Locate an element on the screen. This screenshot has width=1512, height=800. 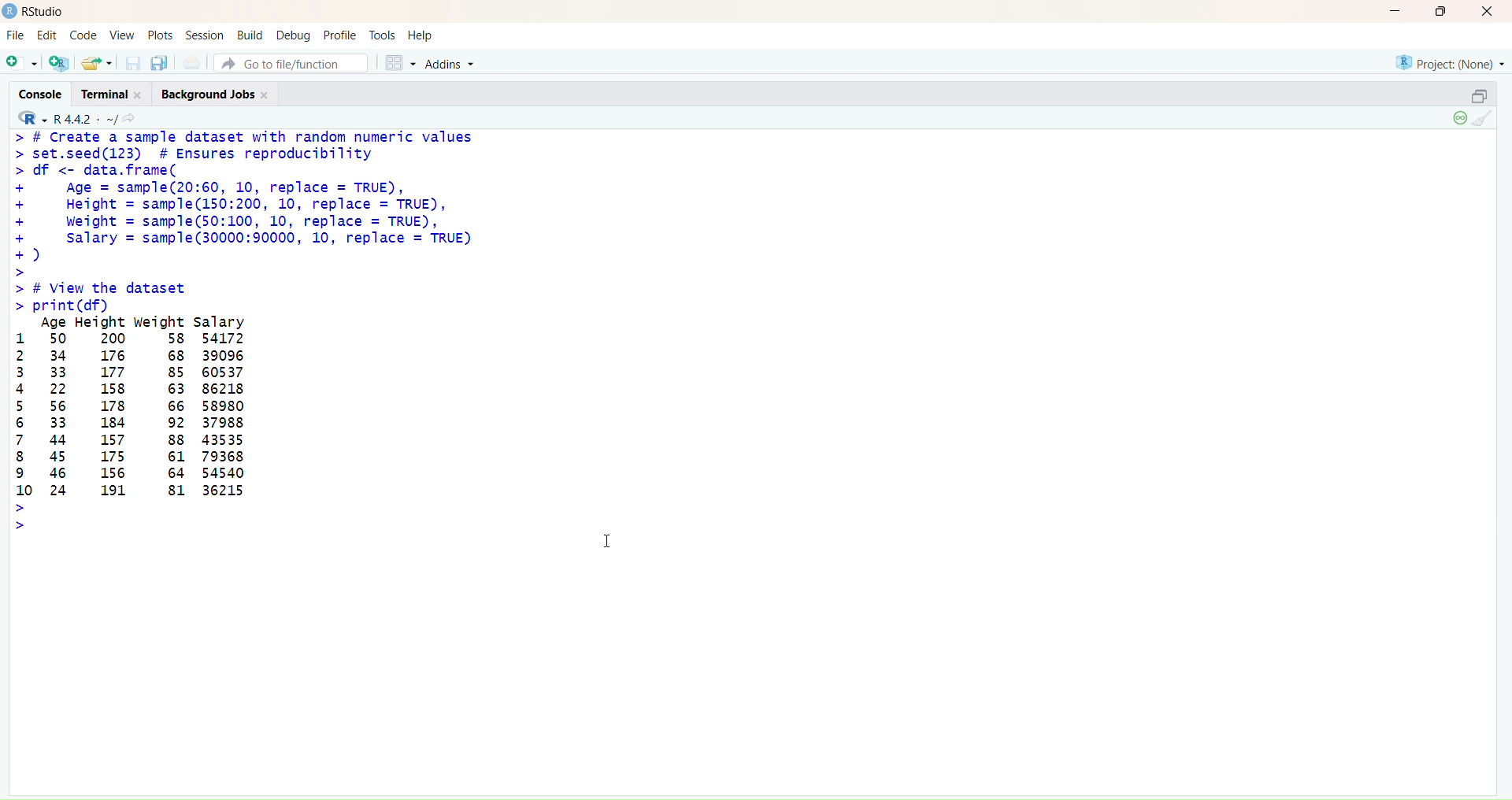
Terminal is located at coordinates (117, 94).